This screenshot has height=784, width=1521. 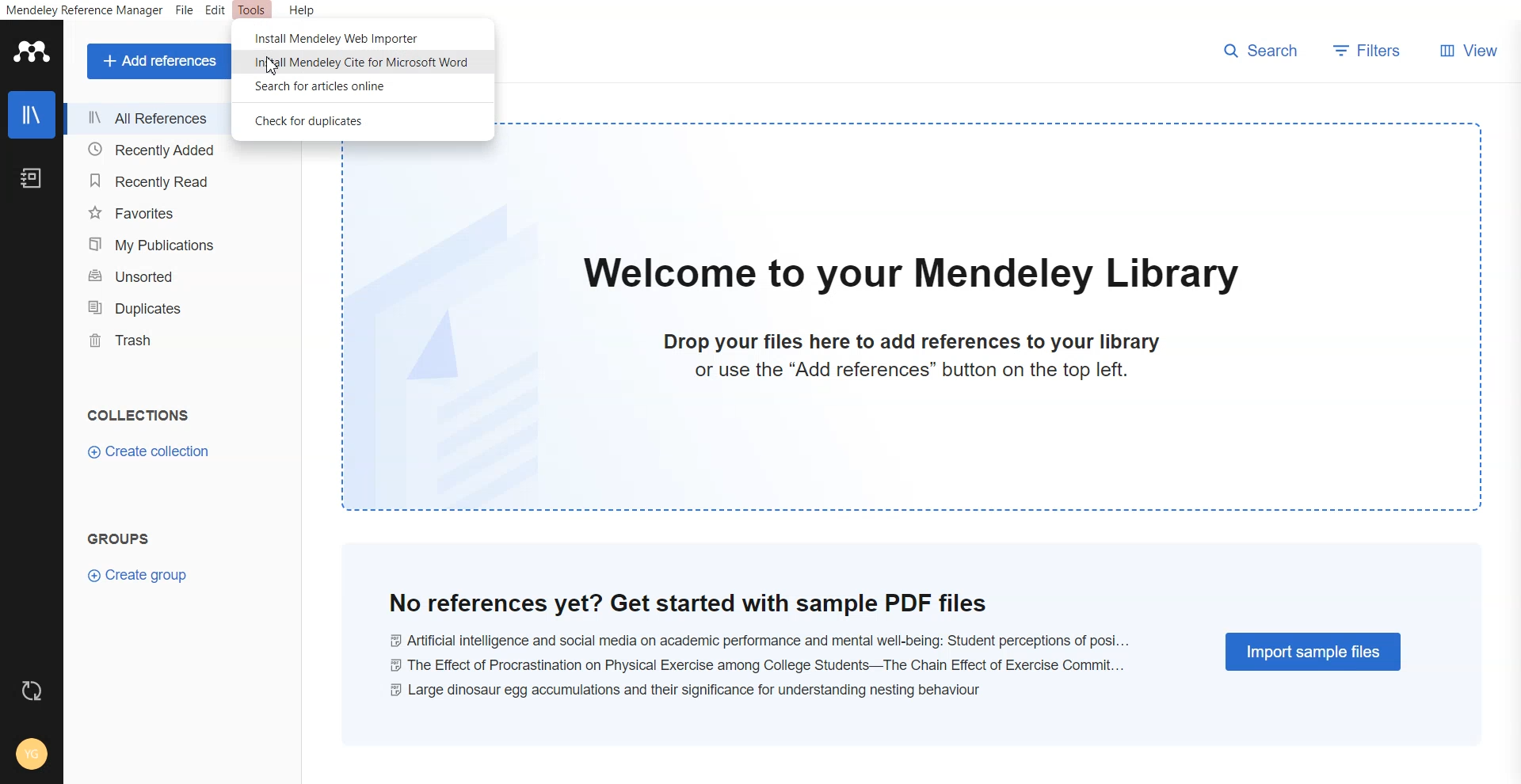 I want to click on Add references, so click(x=155, y=62).